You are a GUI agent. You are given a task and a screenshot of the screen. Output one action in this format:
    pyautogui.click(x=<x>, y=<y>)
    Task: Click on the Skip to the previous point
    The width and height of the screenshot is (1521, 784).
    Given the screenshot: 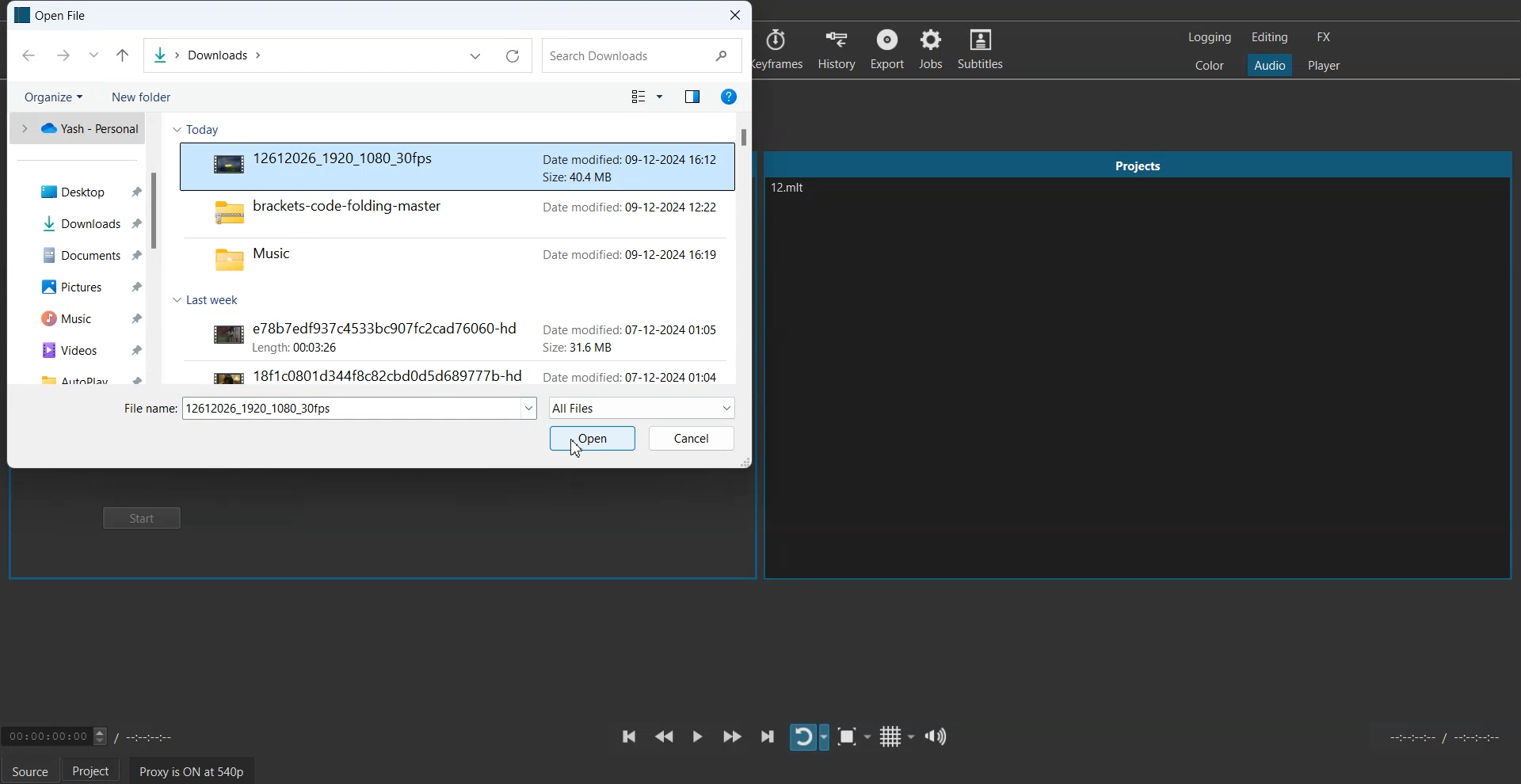 What is the action you would take?
    pyautogui.click(x=627, y=736)
    